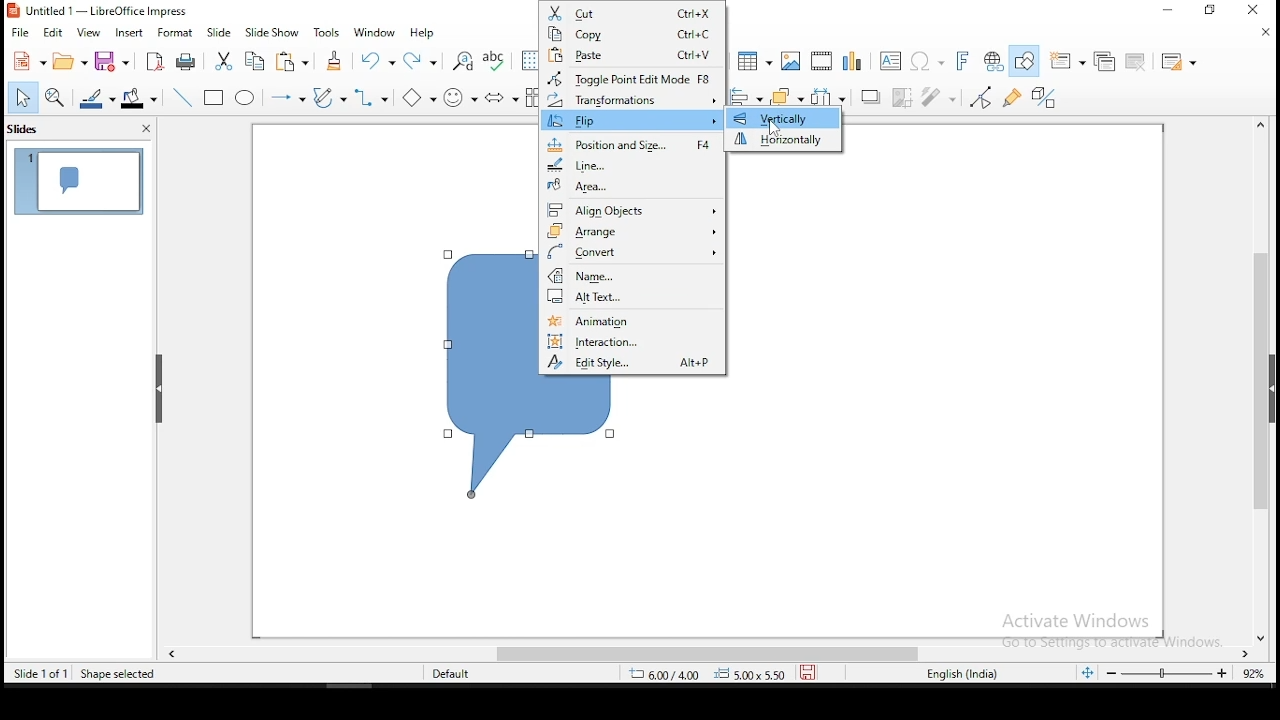 The height and width of the screenshot is (720, 1280). What do you see at coordinates (27, 60) in the screenshot?
I see `new` at bounding box center [27, 60].